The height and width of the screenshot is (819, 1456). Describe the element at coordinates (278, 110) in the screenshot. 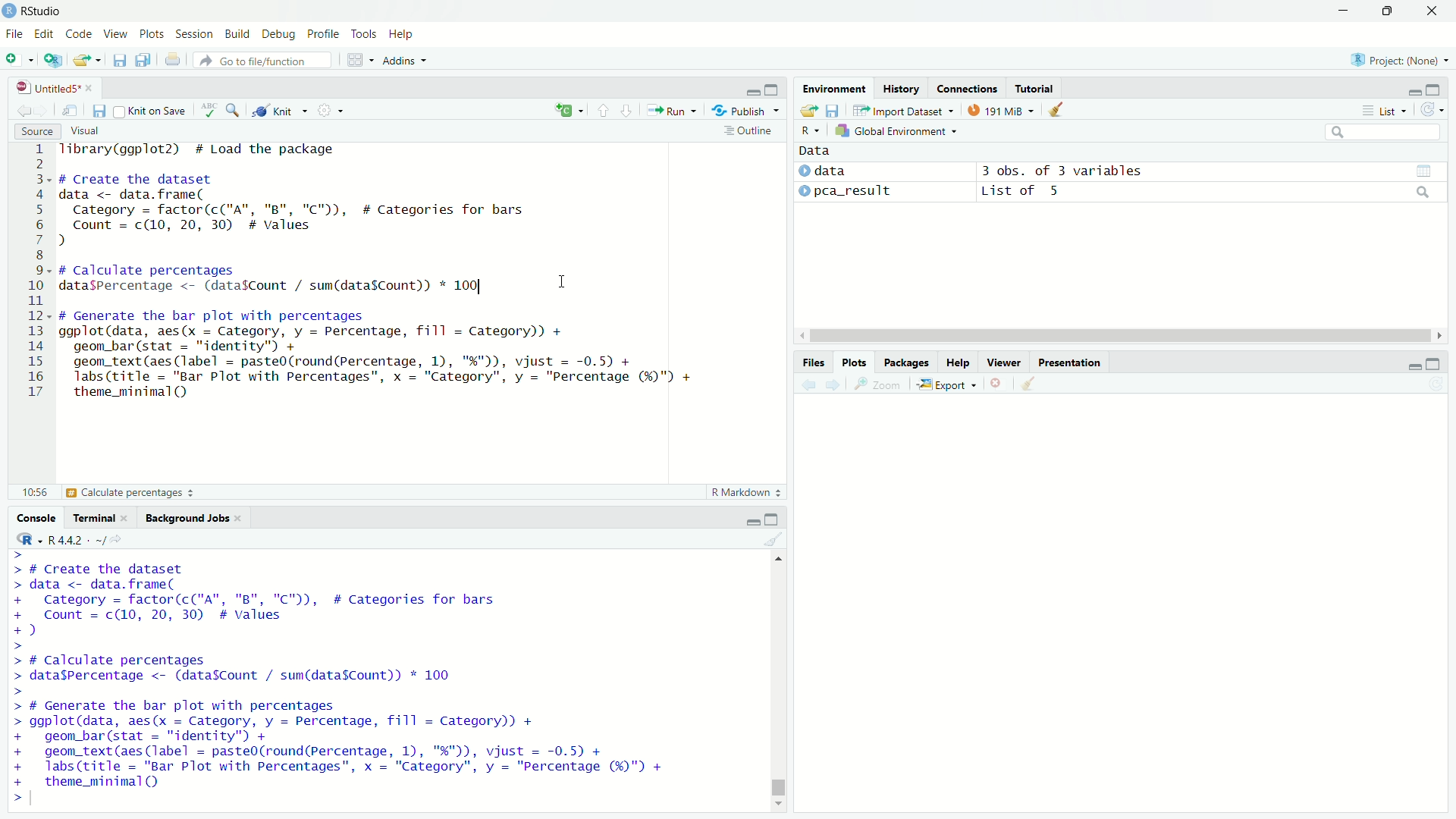

I see `knit` at that location.